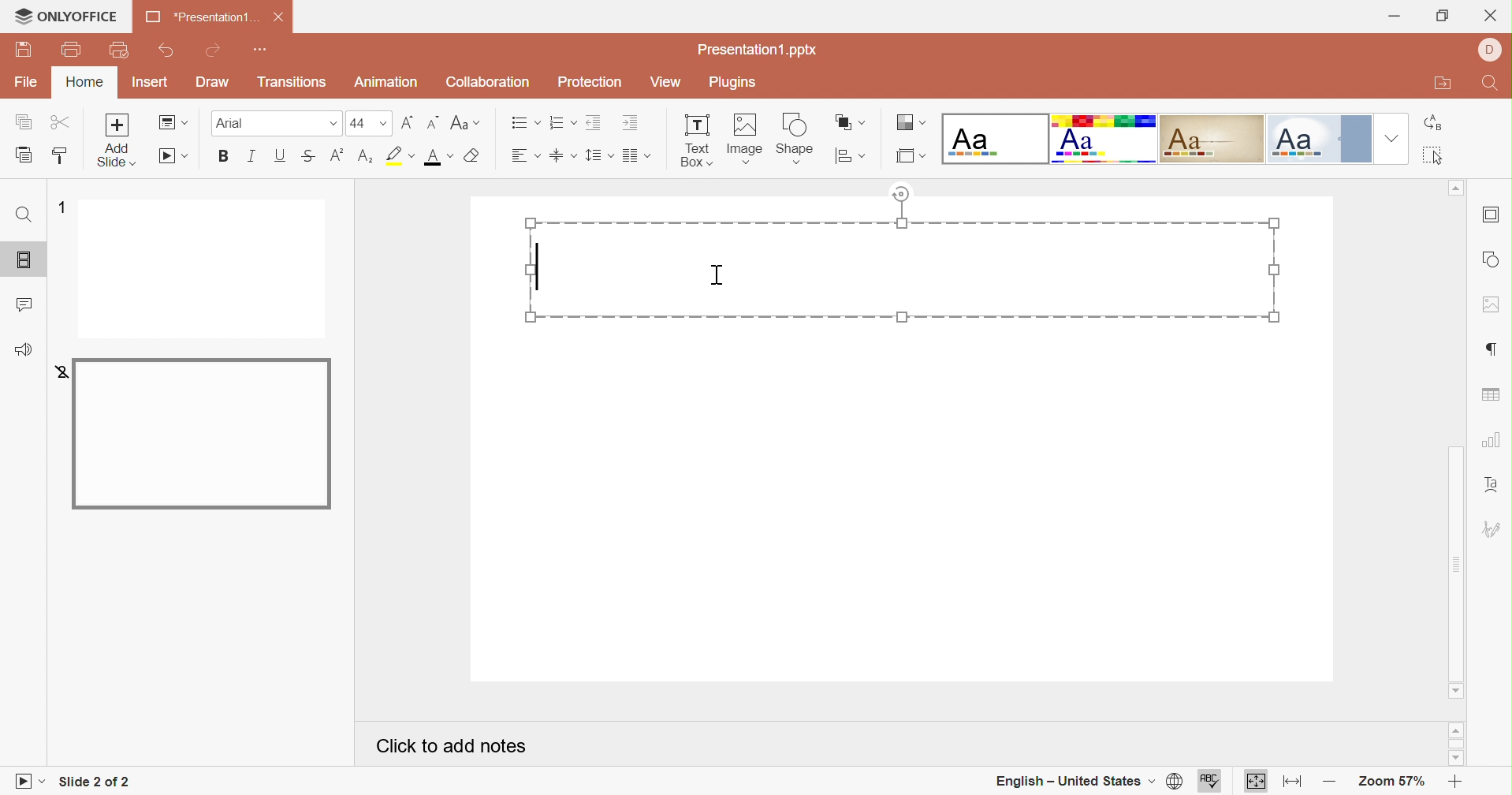 This screenshot has width=1512, height=795. What do you see at coordinates (1103, 140) in the screenshot?
I see `Basic` at bounding box center [1103, 140].